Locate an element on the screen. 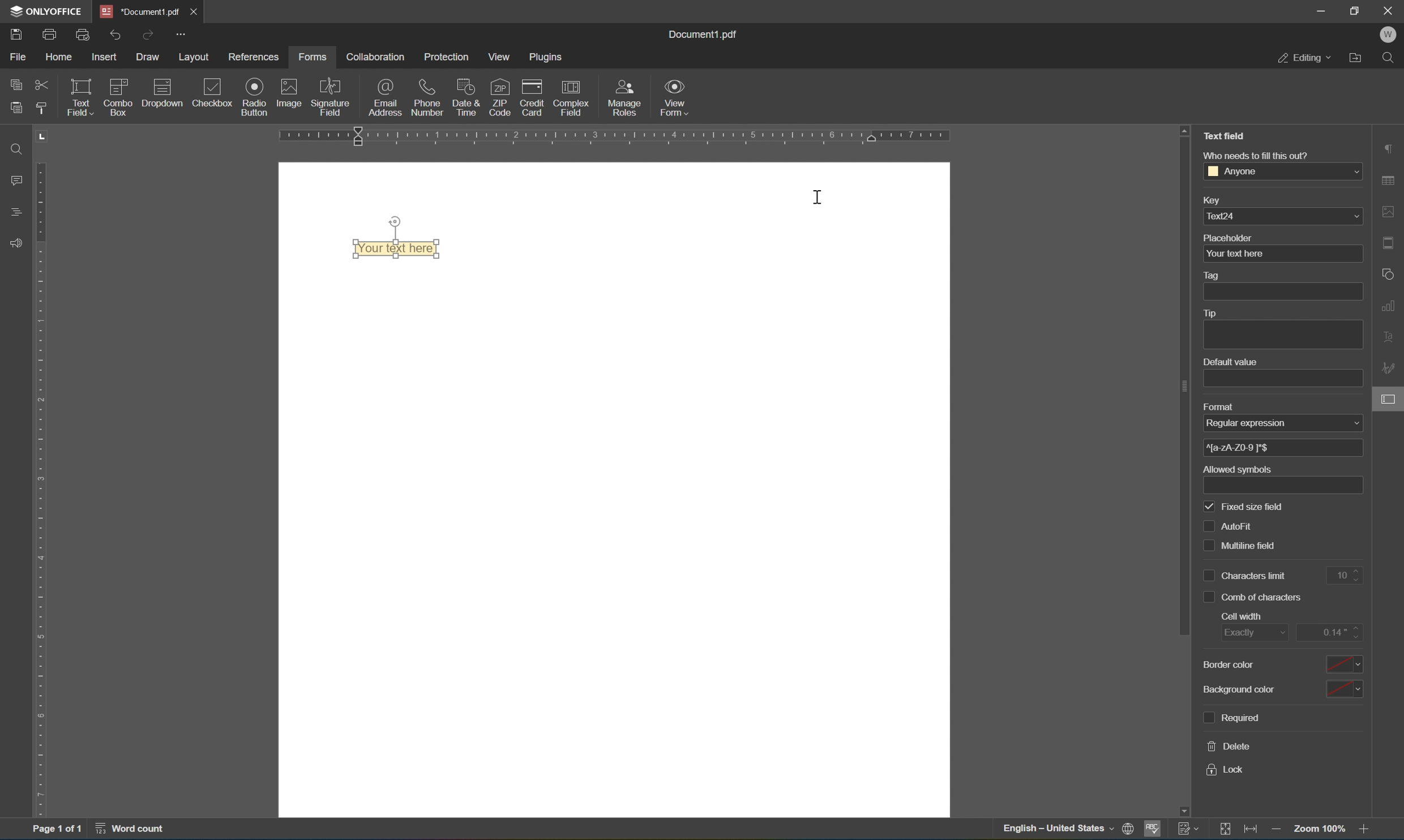 This screenshot has width=1404, height=840. credit card is located at coordinates (532, 100).